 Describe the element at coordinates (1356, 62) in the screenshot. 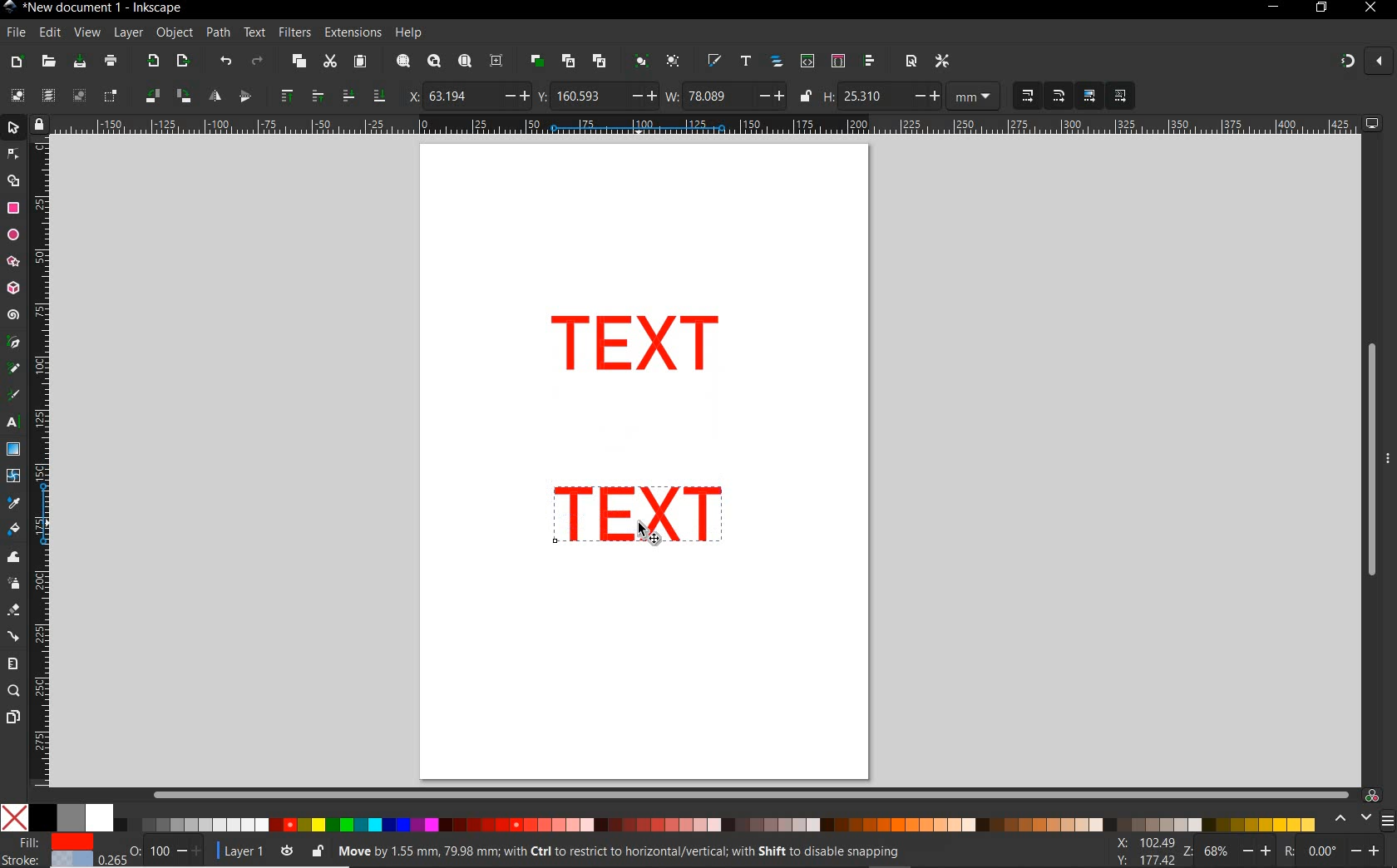

I see `ENABLE SNAPPING TOOL` at that location.